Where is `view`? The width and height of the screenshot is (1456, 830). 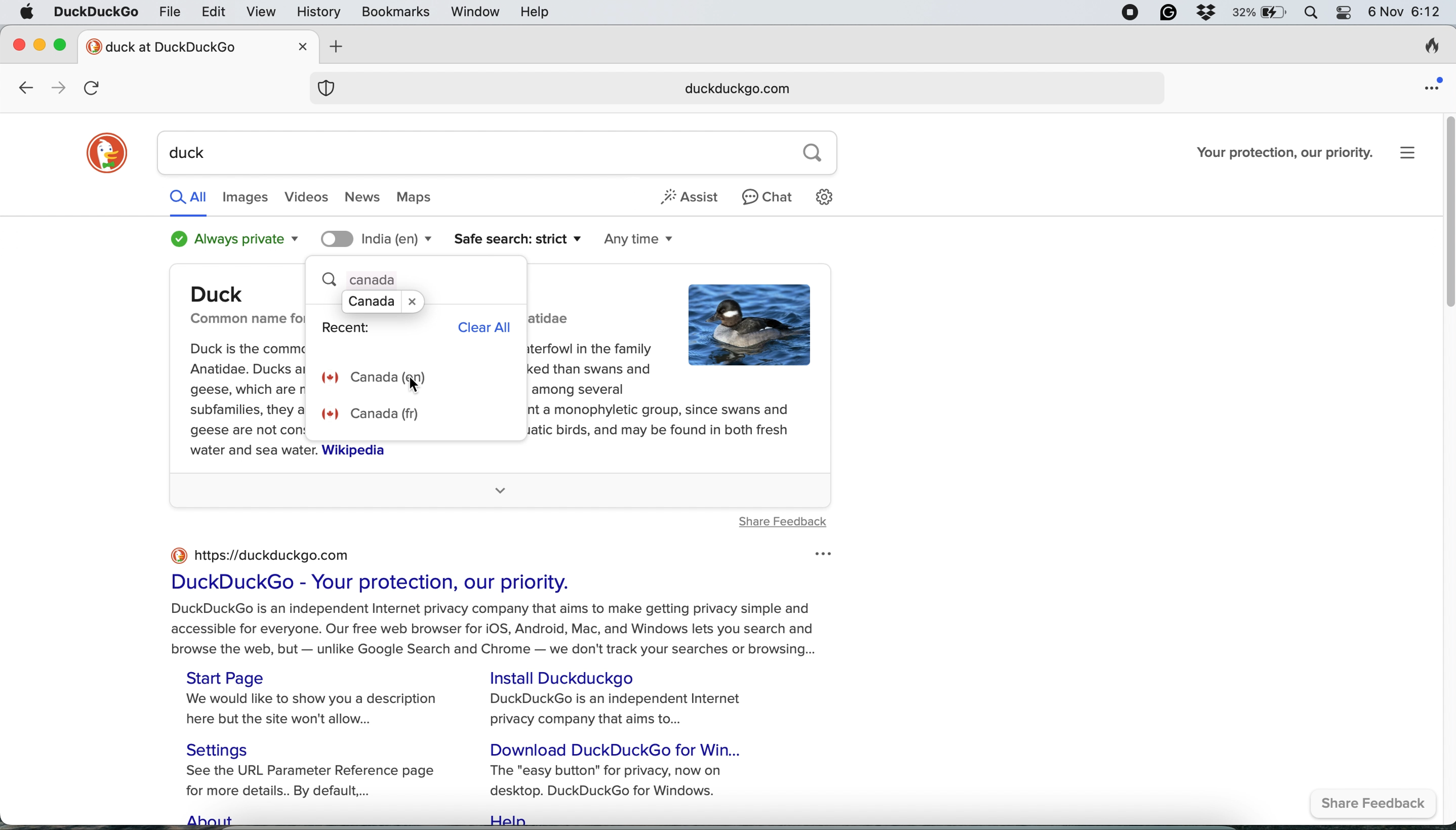
view is located at coordinates (264, 14).